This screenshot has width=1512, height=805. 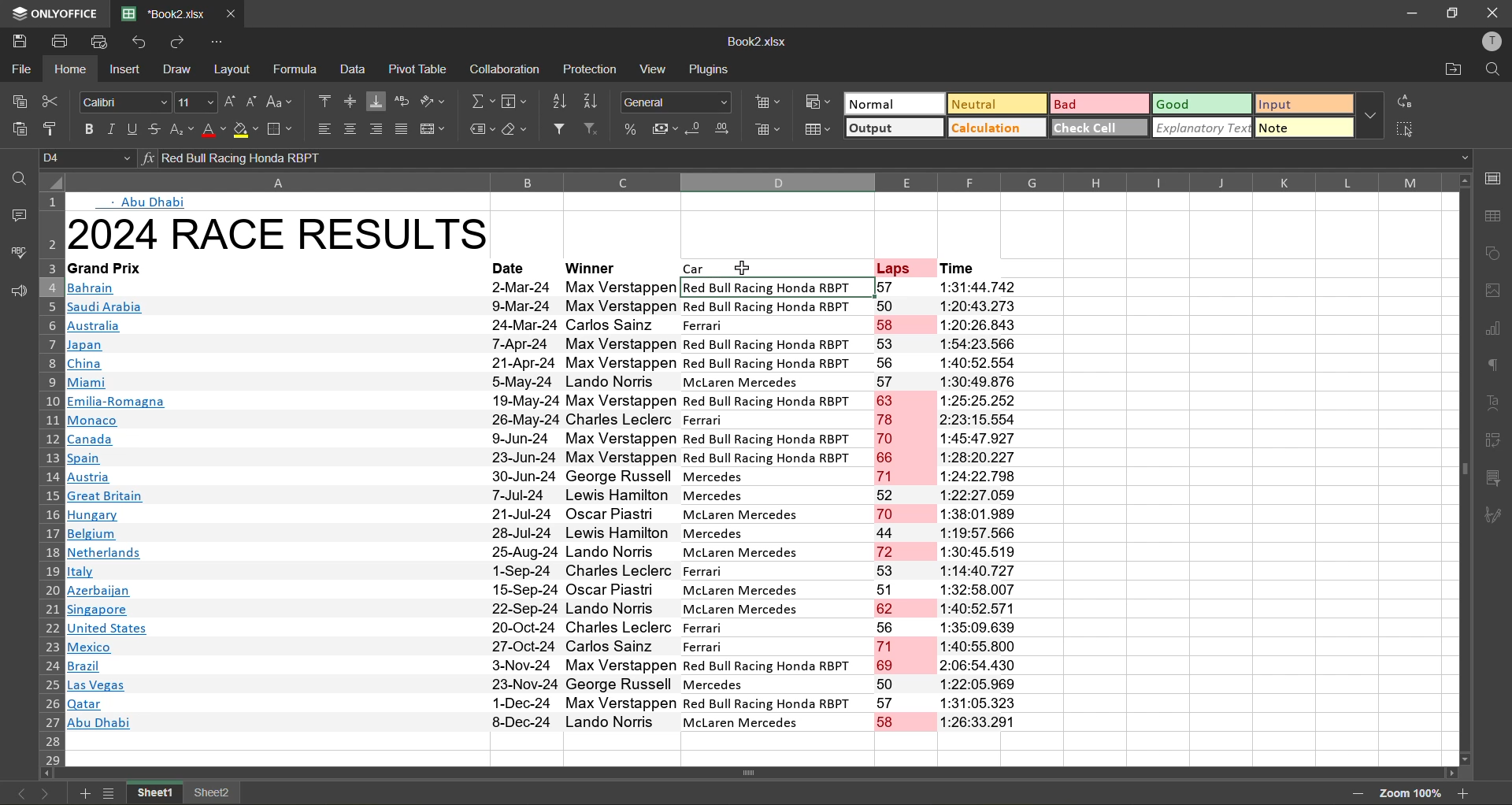 I want to click on signature, so click(x=1492, y=517).